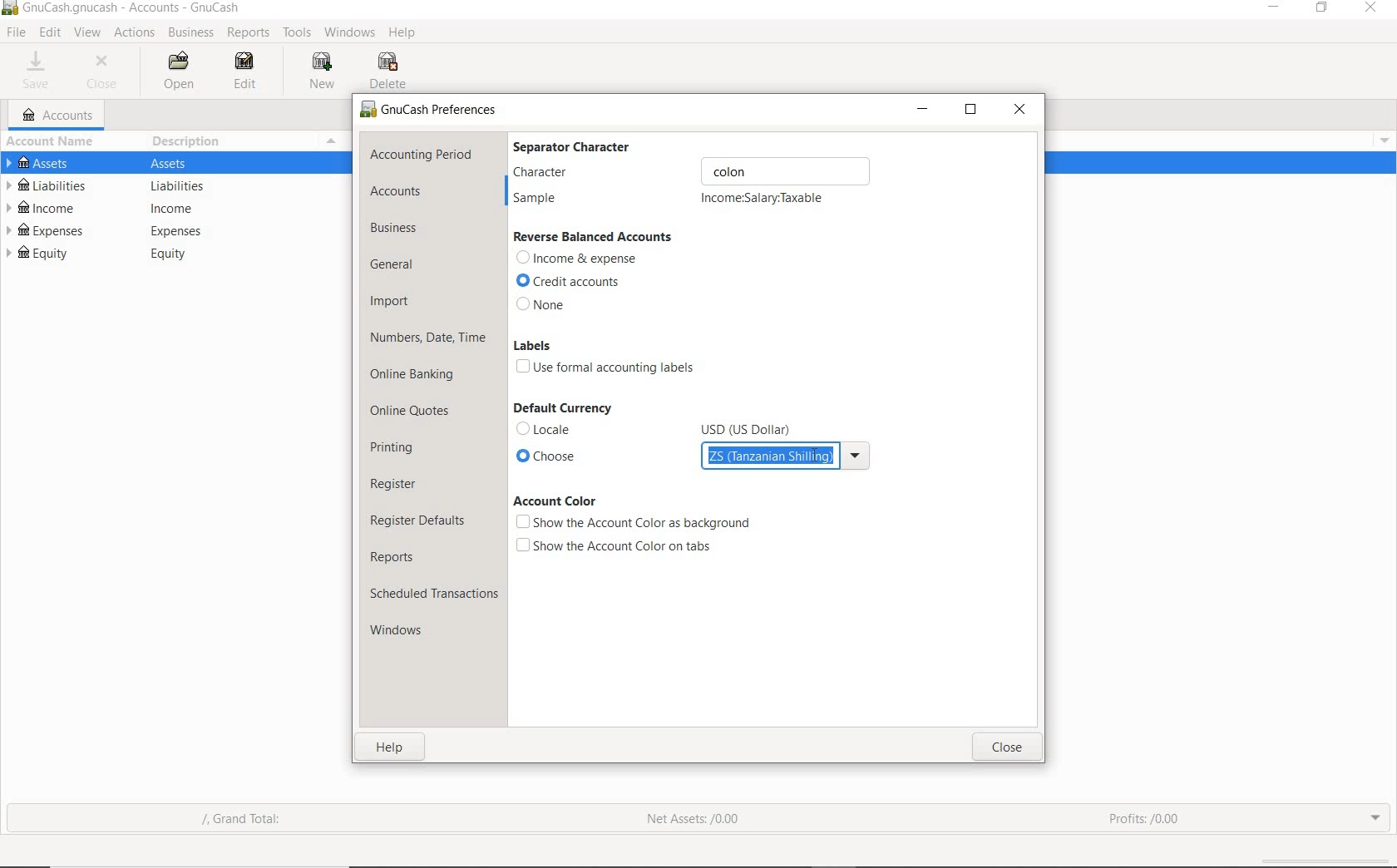  What do you see at coordinates (175, 258) in the screenshot?
I see `` at bounding box center [175, 258].